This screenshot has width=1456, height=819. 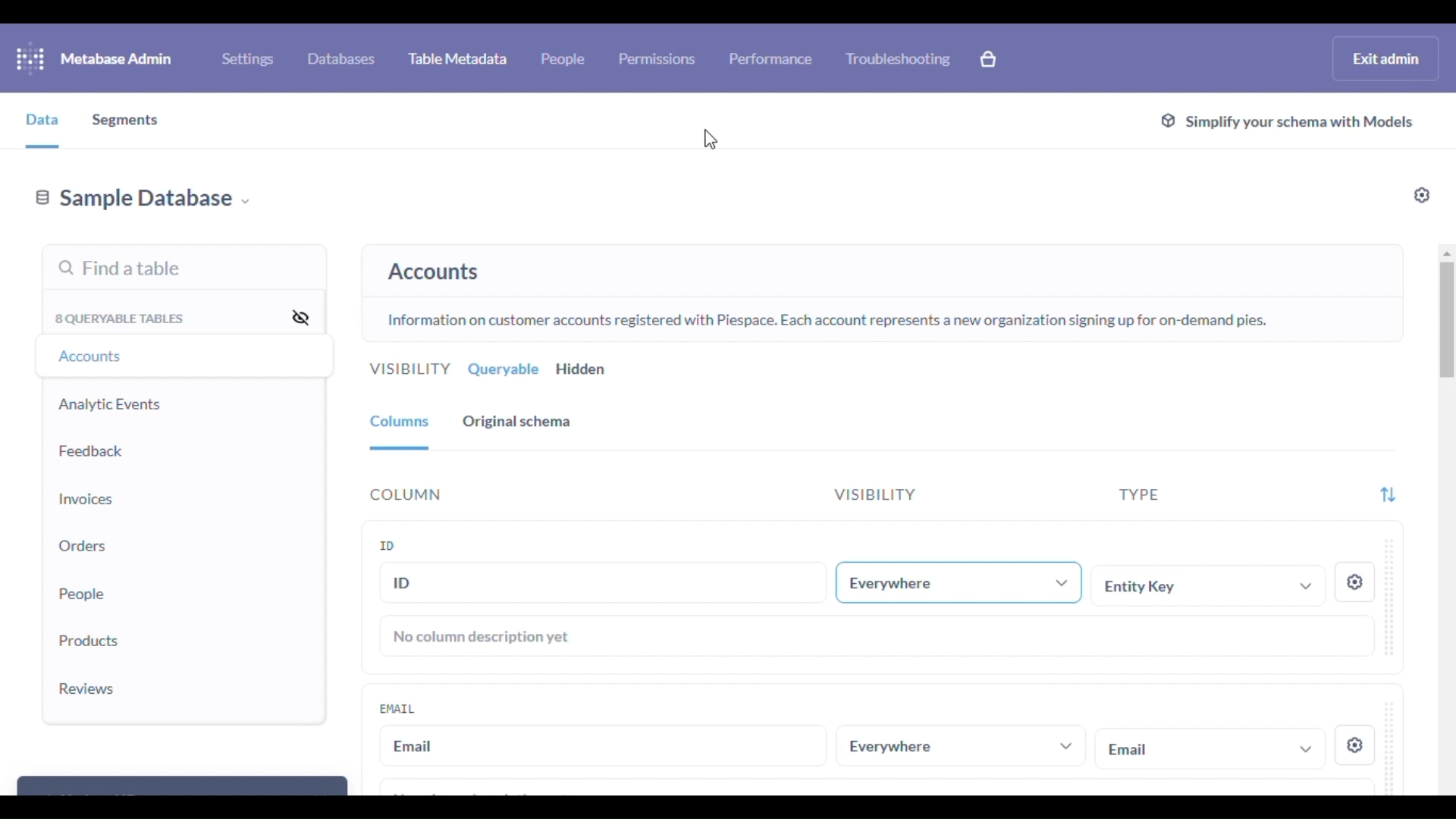 I want to click on entity key, so click(x=1211, y=585).